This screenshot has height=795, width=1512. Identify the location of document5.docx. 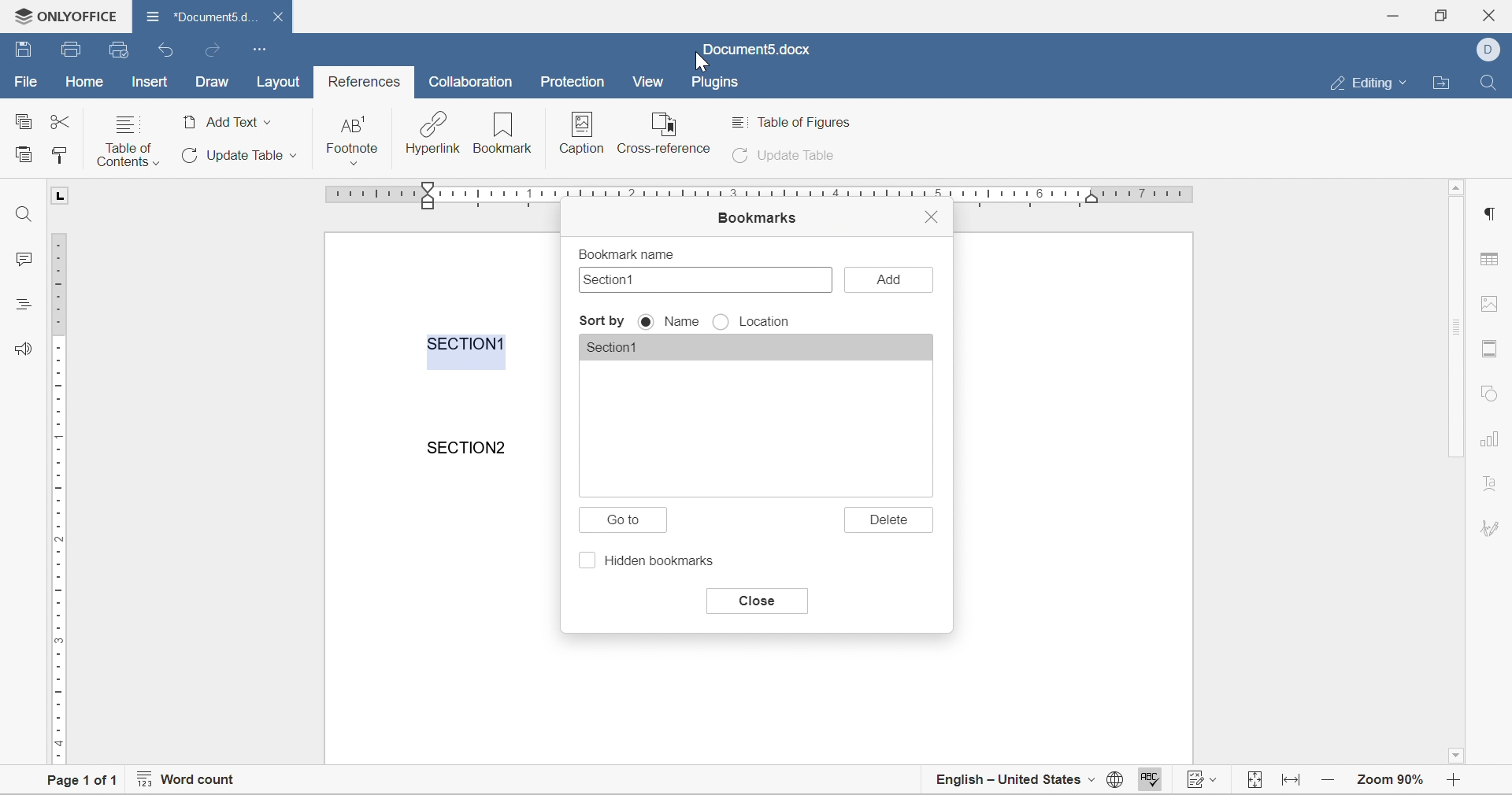
(755, 50).